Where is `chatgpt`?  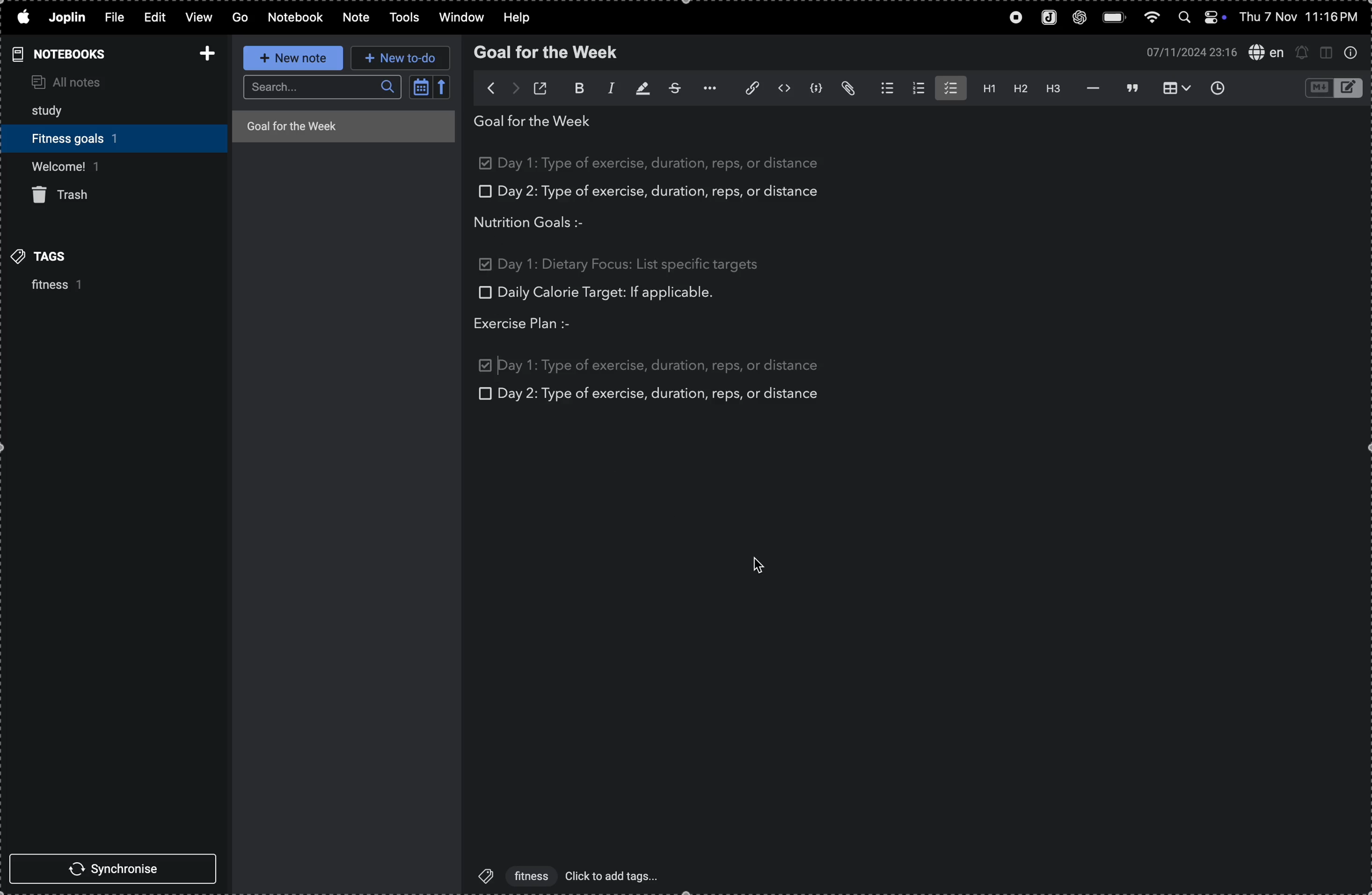
chatgpt is located at coordinates (1078, 18).